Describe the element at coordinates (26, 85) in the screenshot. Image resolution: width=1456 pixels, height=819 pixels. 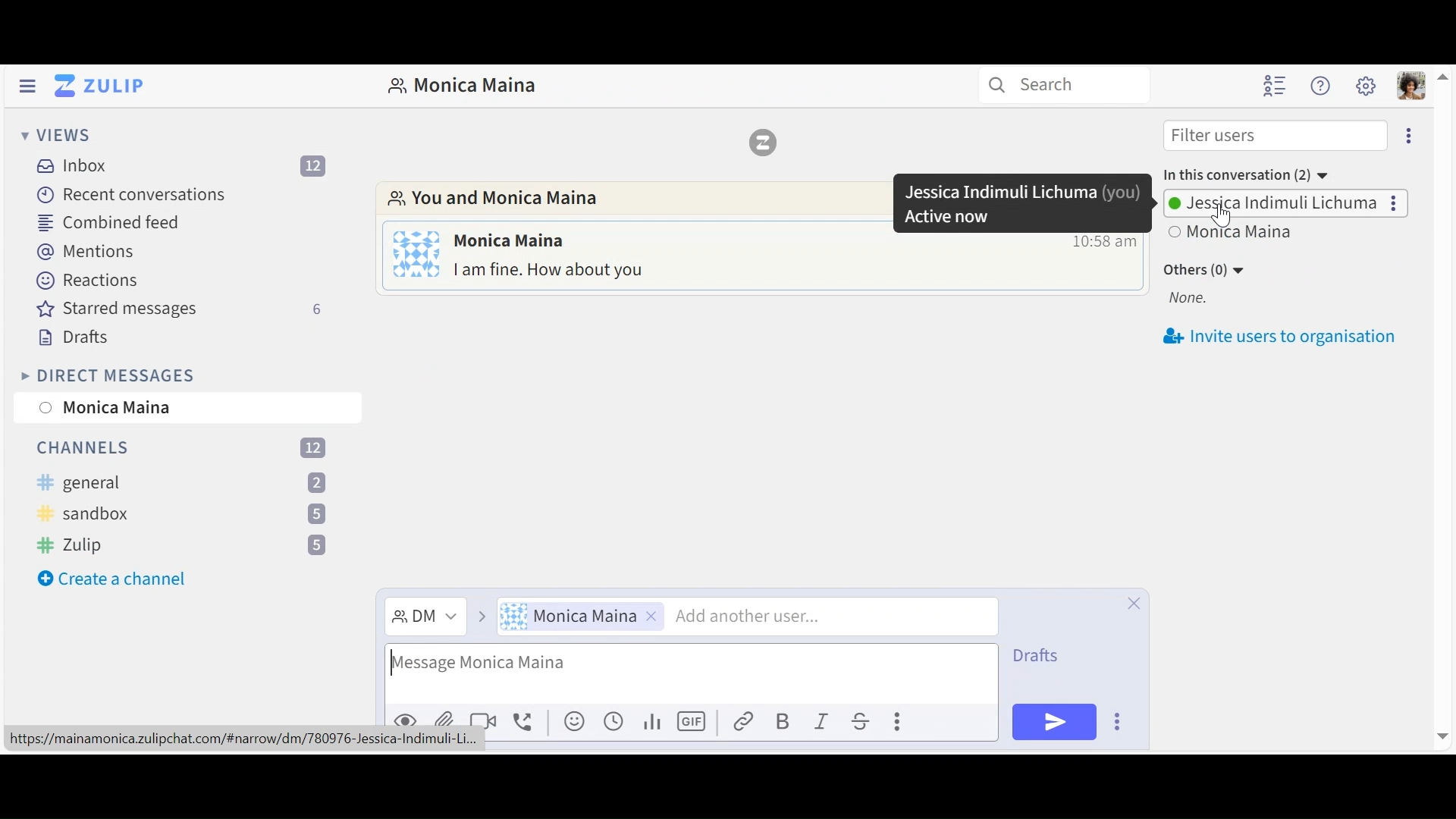
I see `Hide Left Sidebar` at that location.